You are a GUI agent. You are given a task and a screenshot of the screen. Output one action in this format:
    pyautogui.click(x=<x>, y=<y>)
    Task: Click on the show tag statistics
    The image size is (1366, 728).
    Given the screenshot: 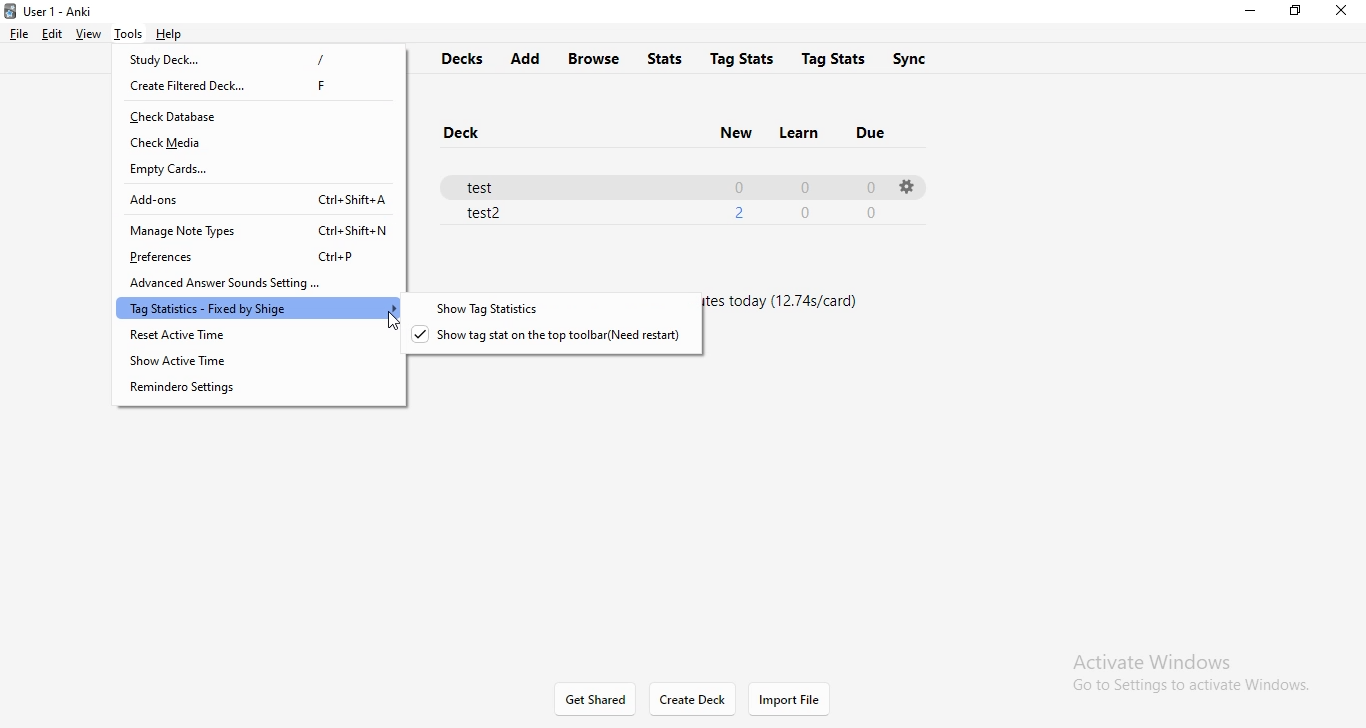 What is the action you would take?
    pyautogui.click(x=565, y=311)
    